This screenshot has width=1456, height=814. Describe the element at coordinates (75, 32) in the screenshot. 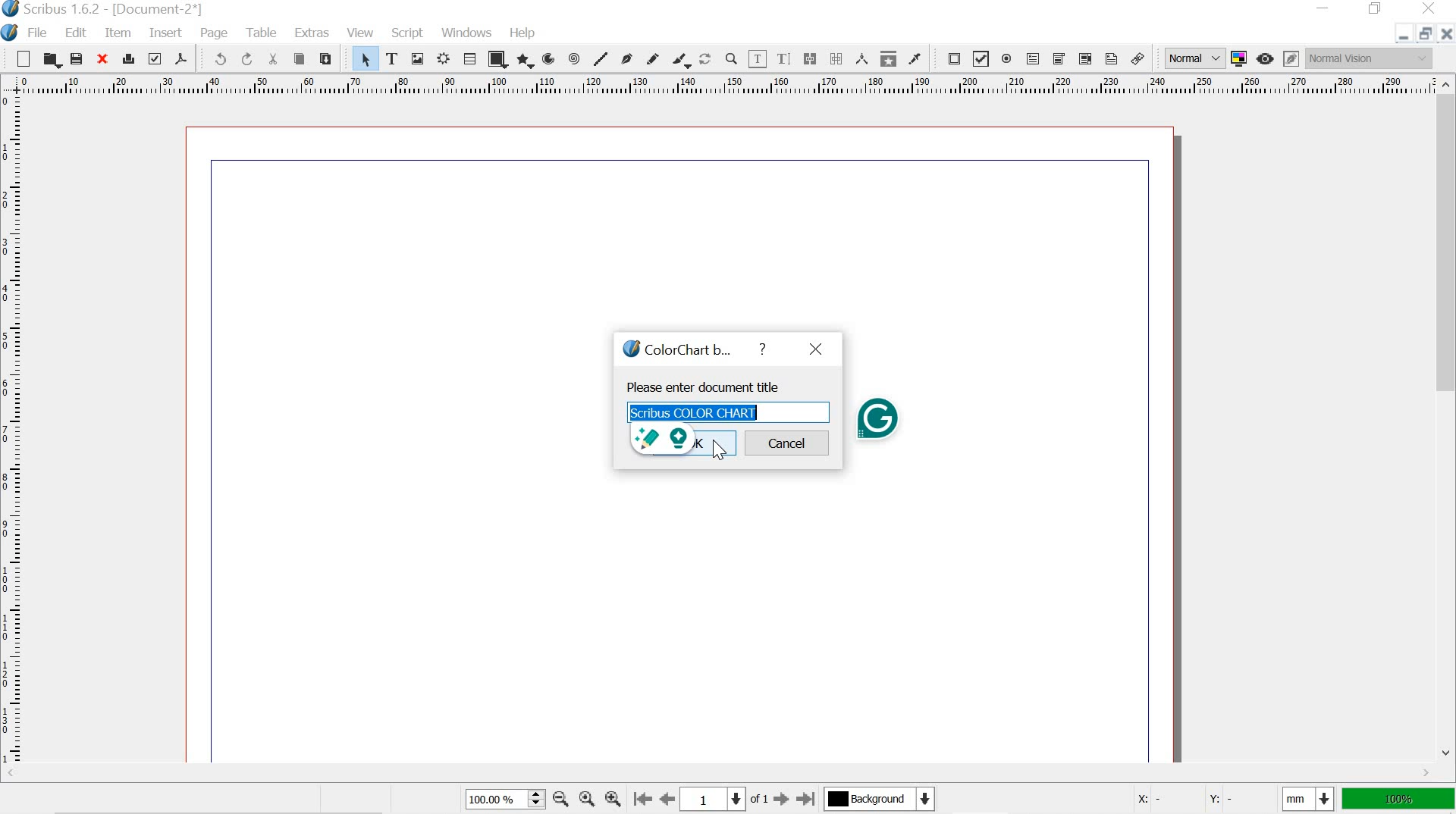

I see `edit` at that location.